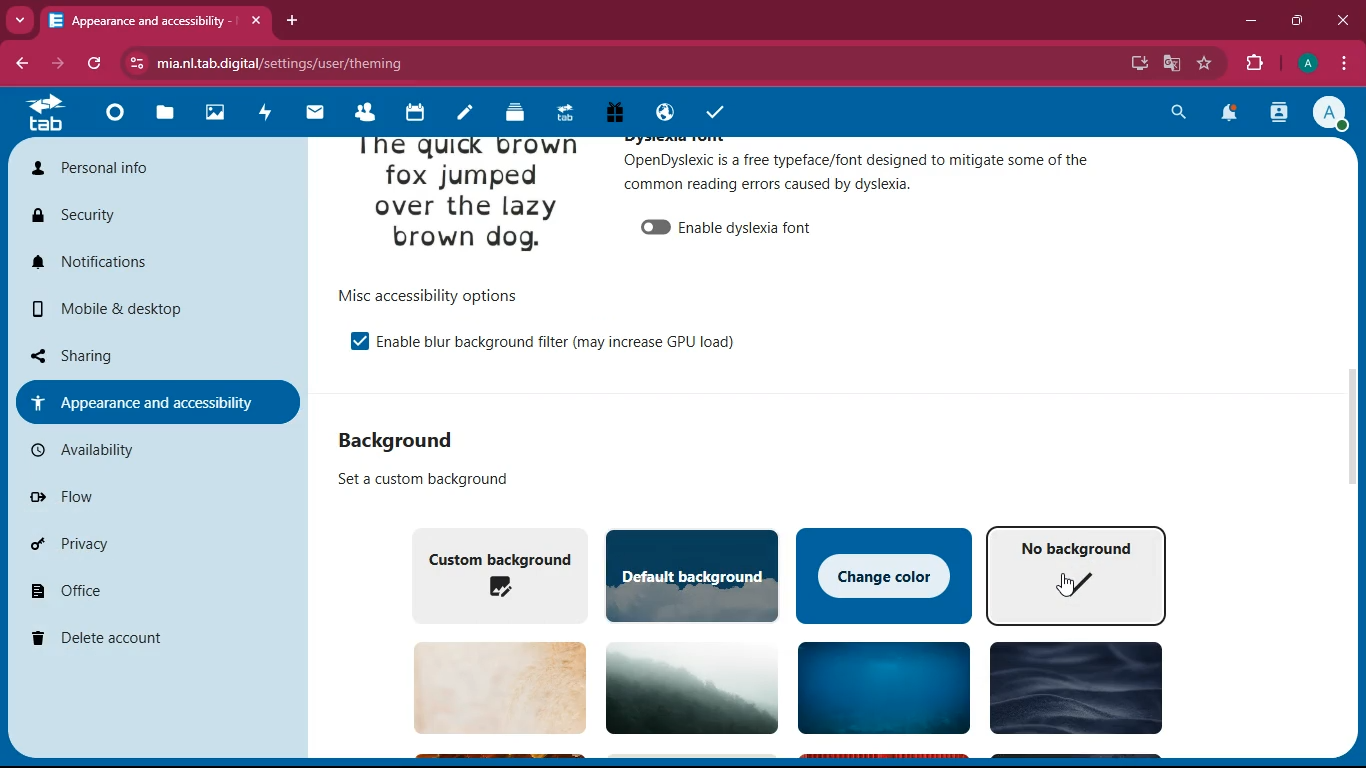 The height and width of the screenshot is (768, 1366). What do you see at coordinates (283, 64) in the screenshot?
I see `url` at bounding box center [283, 64].